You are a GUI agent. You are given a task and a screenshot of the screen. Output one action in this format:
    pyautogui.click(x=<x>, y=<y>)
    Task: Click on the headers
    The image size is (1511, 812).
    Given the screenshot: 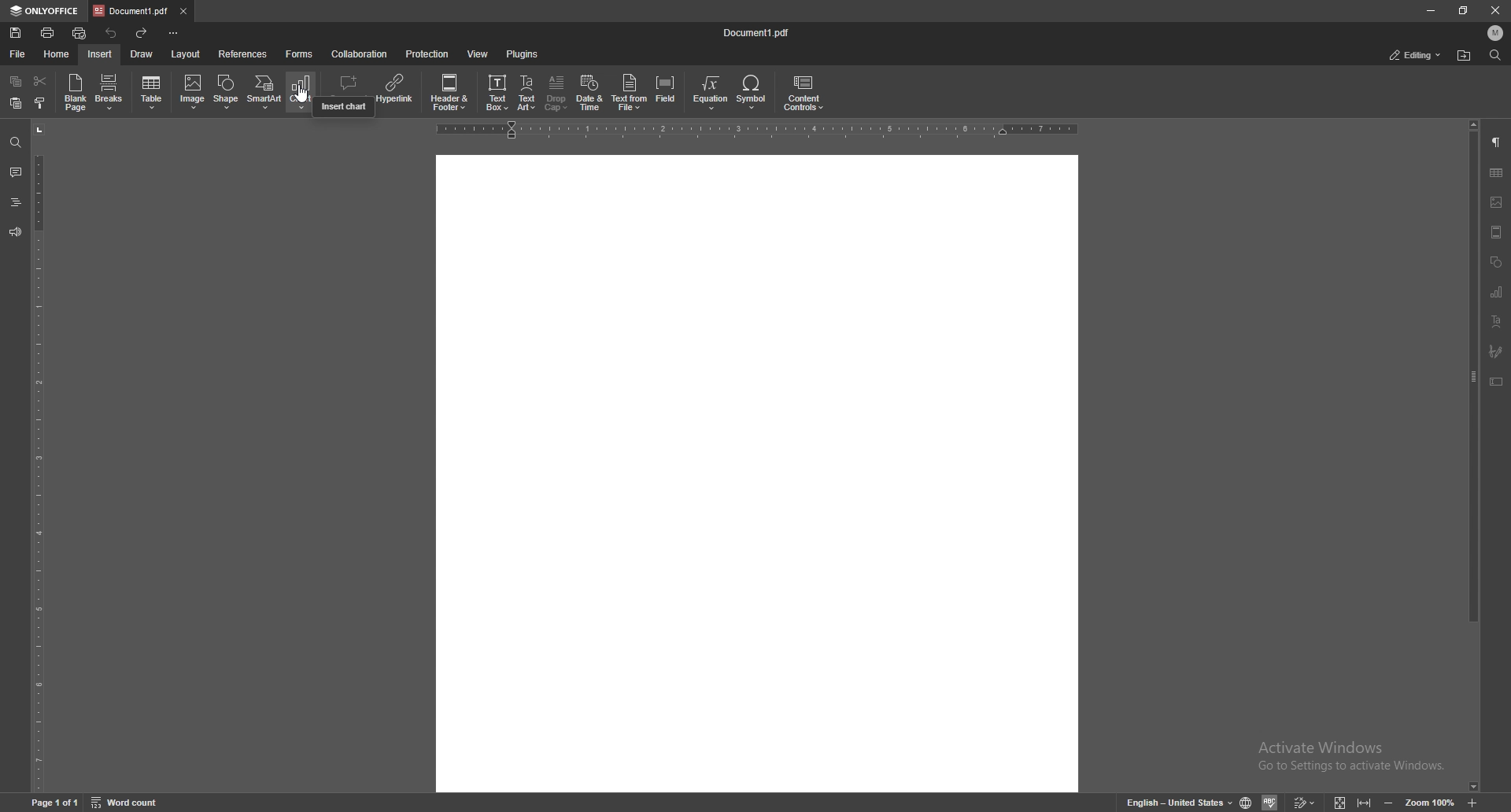 What is the action you would take?
    pyautogui.click(x=14, y=201)
    